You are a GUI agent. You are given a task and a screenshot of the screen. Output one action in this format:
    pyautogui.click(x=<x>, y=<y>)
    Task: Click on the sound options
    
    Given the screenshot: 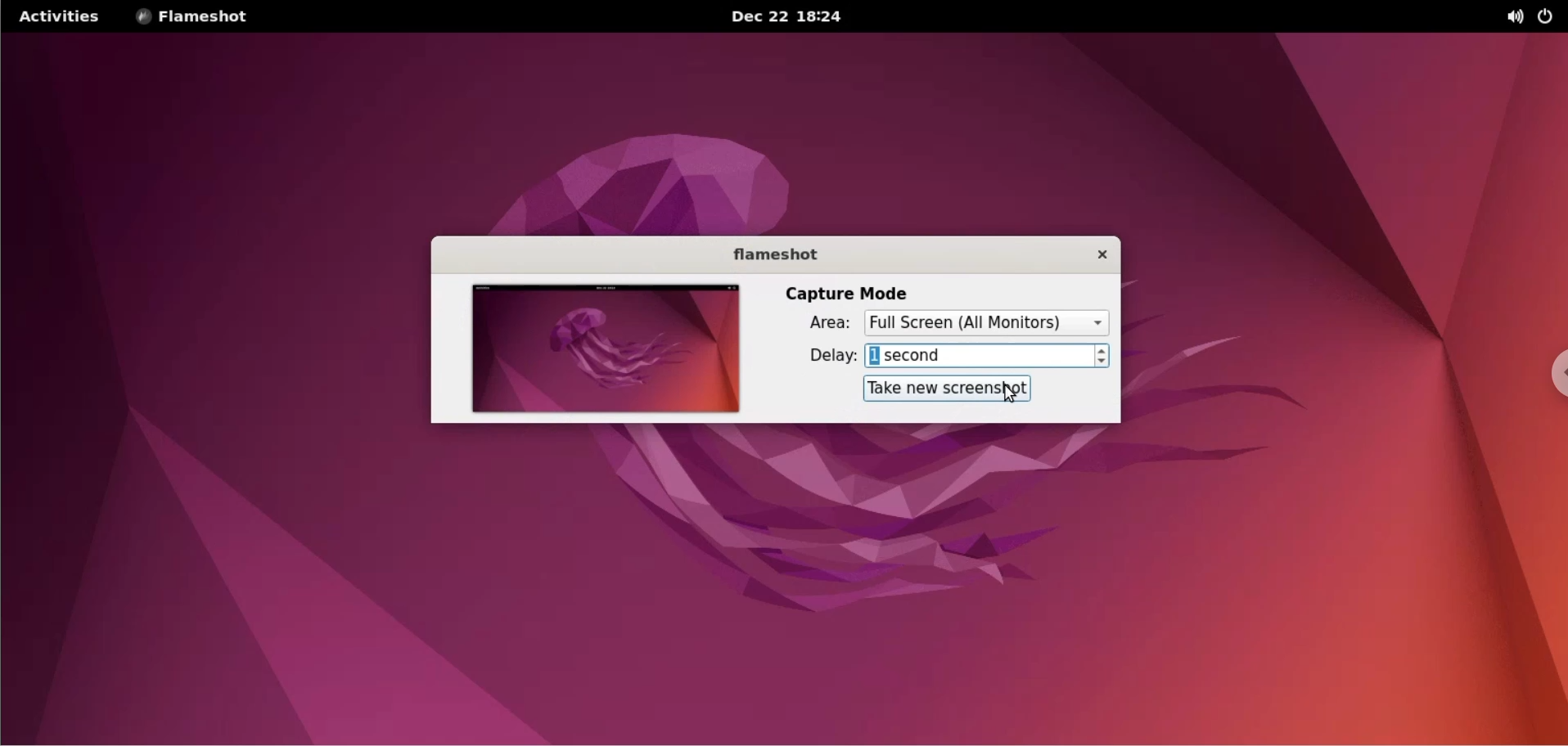 What is the action you would take?
    pyautogui.click(x=1507, y=17)
    